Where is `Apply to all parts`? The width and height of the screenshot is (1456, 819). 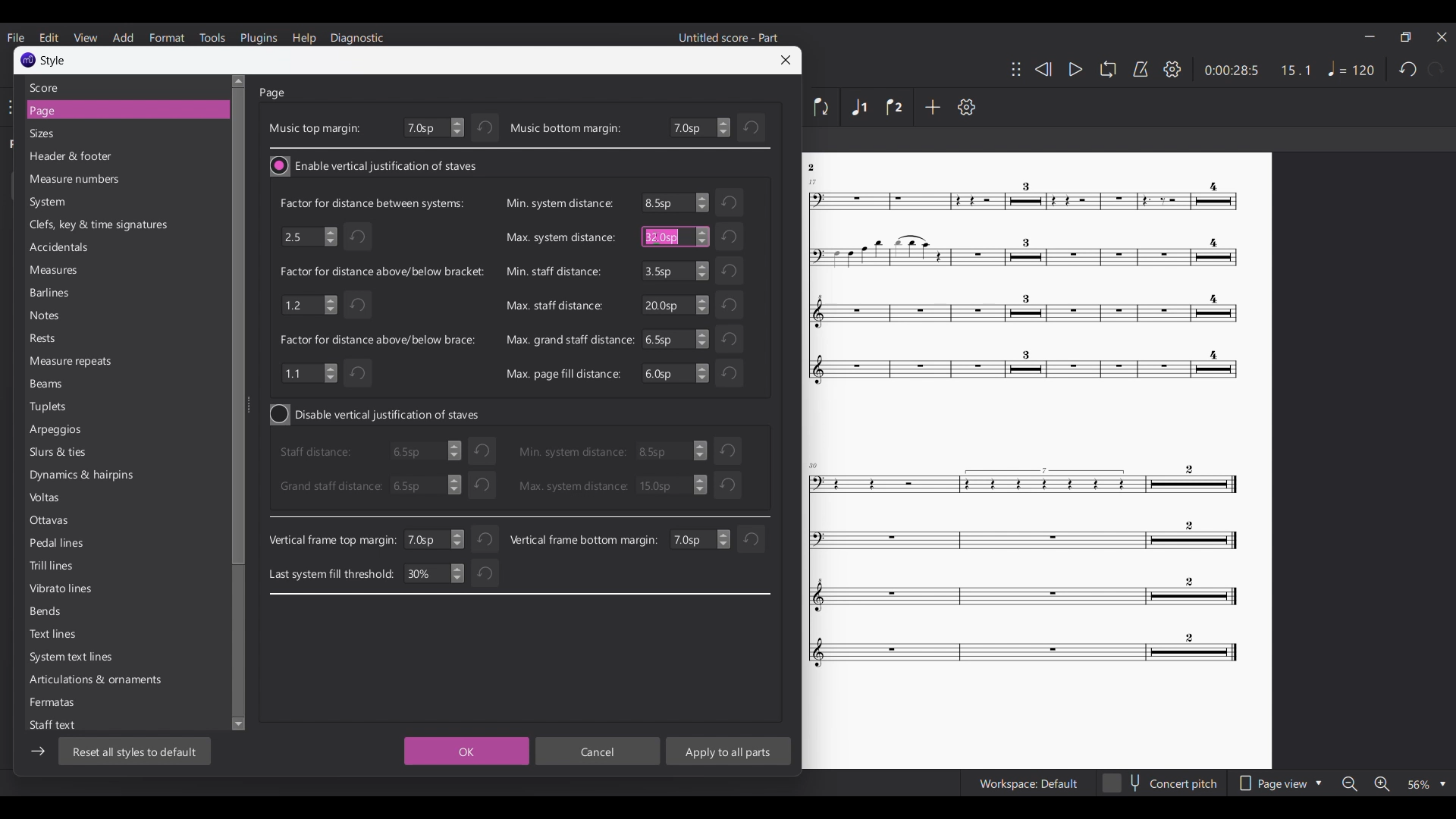
Apply to all parts is located at coordinates (728, 751).